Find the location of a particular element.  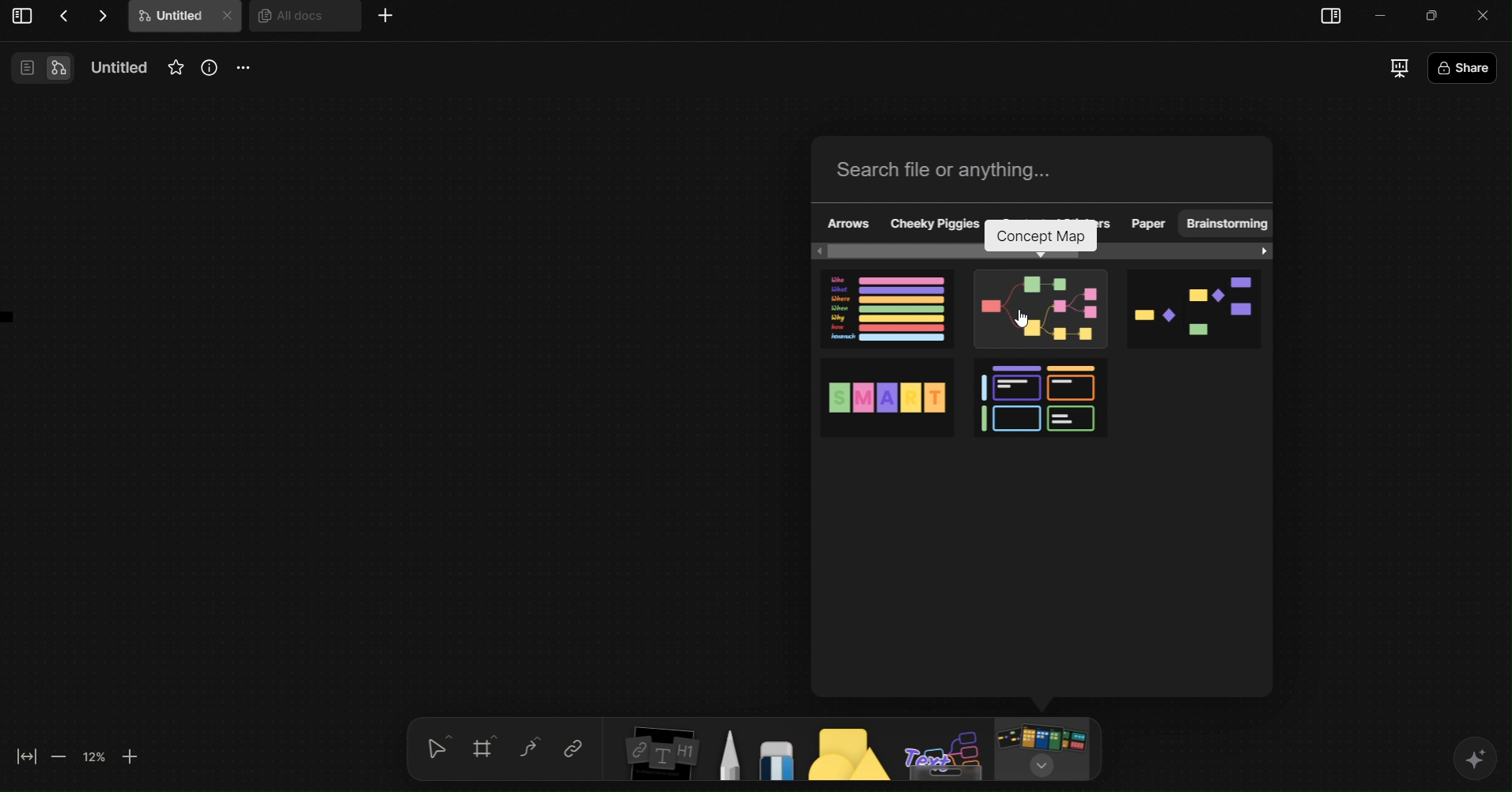

SMART Goals Template is located at coordinates (886, 401).